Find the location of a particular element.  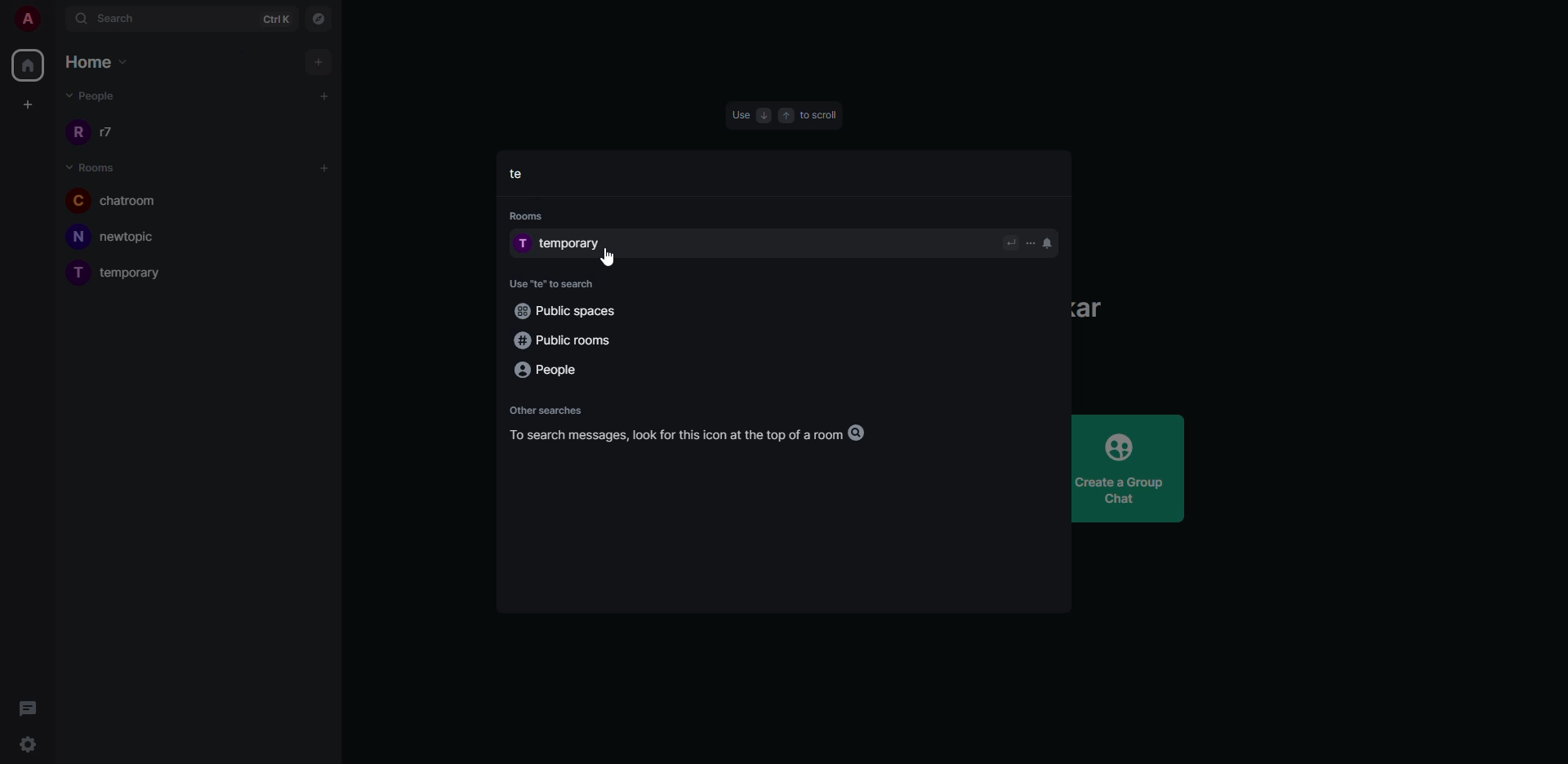

add is located at coordinates (321, 61).